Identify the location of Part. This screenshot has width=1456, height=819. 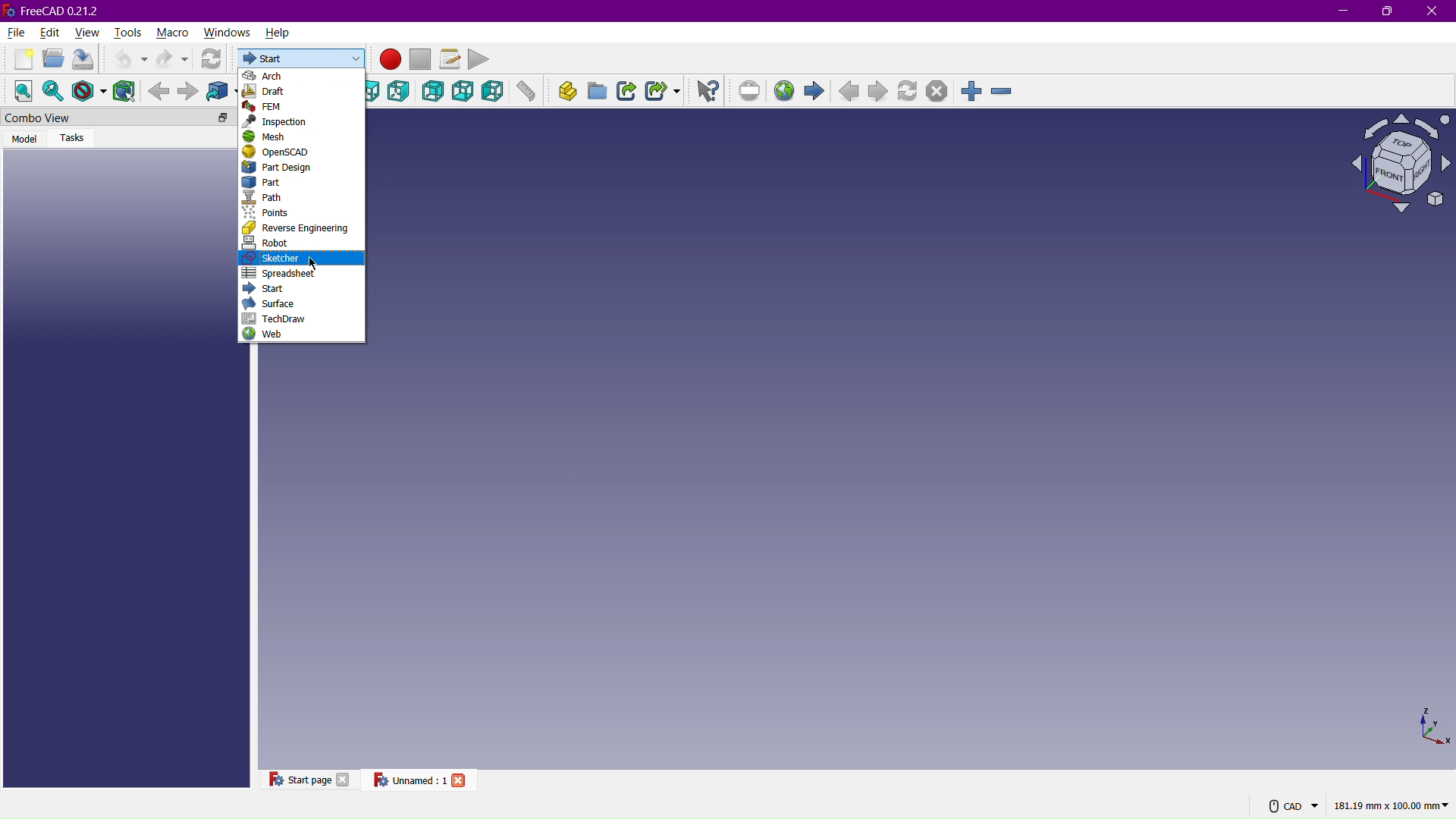
(265, 183).